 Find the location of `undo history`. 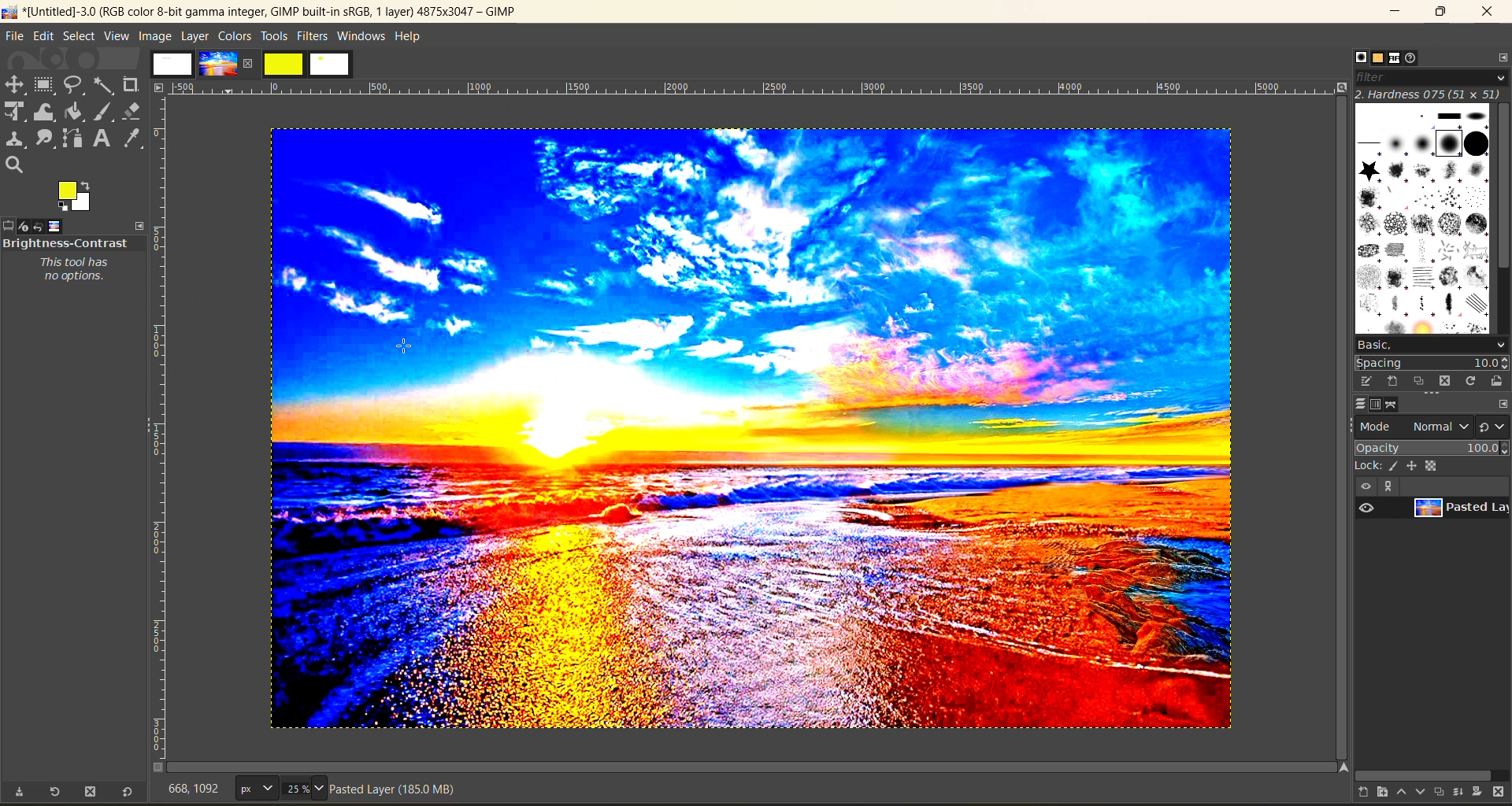

undo history is located at coordinates (38, 227).